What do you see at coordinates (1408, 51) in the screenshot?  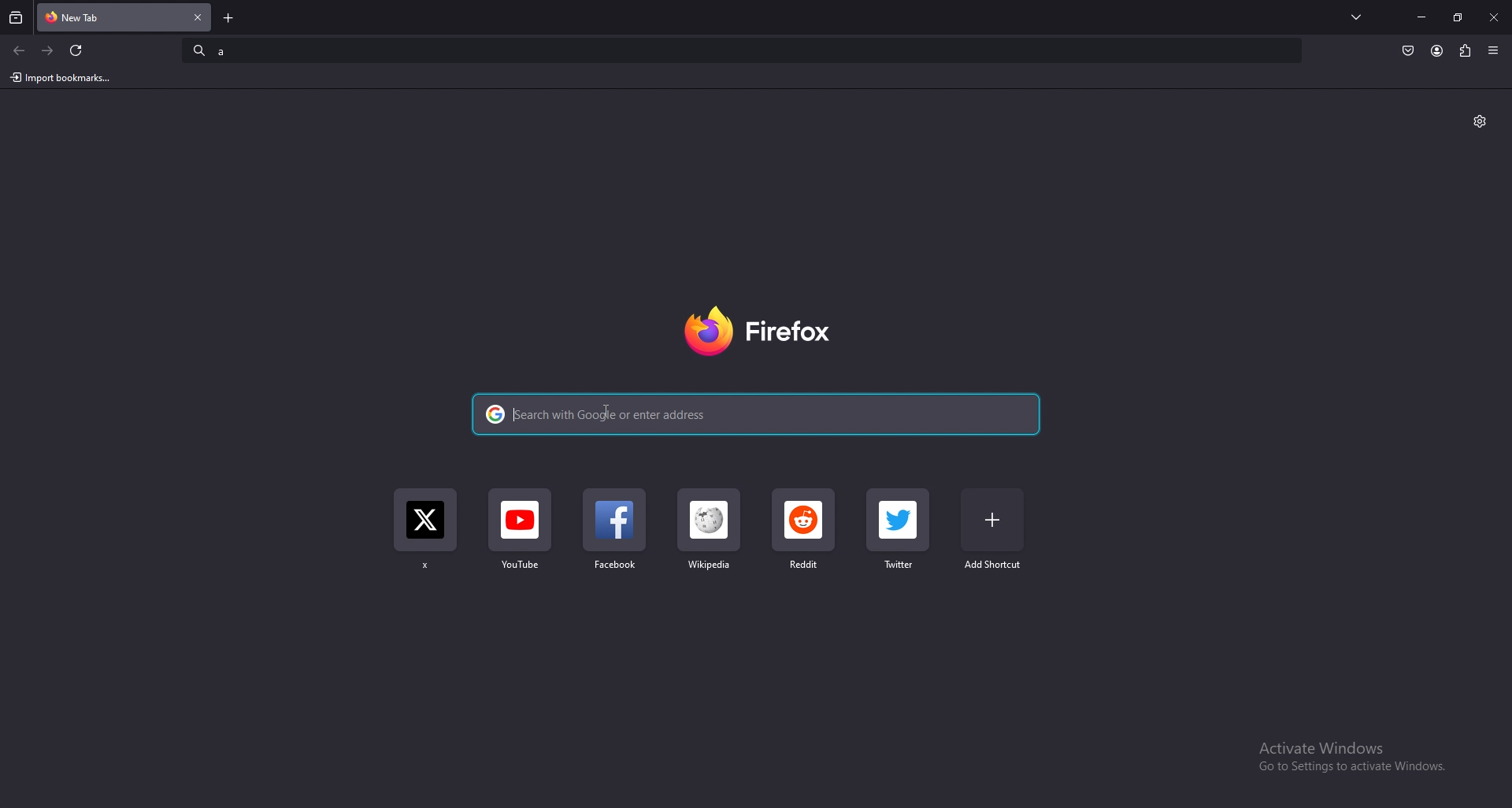 I see `save to pocket` at bounding box center [1408, 51].